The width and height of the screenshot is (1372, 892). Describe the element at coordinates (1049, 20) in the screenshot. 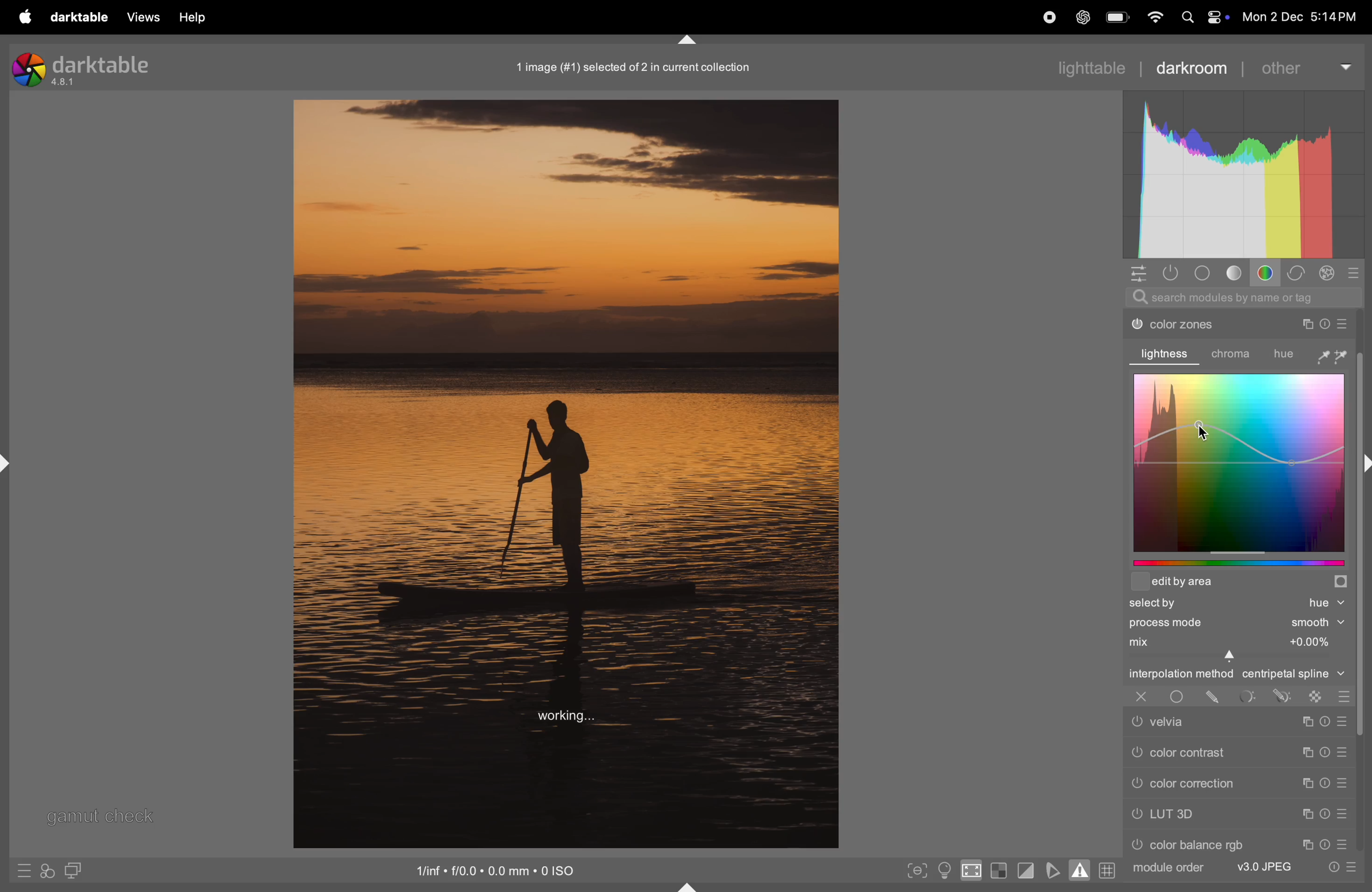

I see `record` at that location.